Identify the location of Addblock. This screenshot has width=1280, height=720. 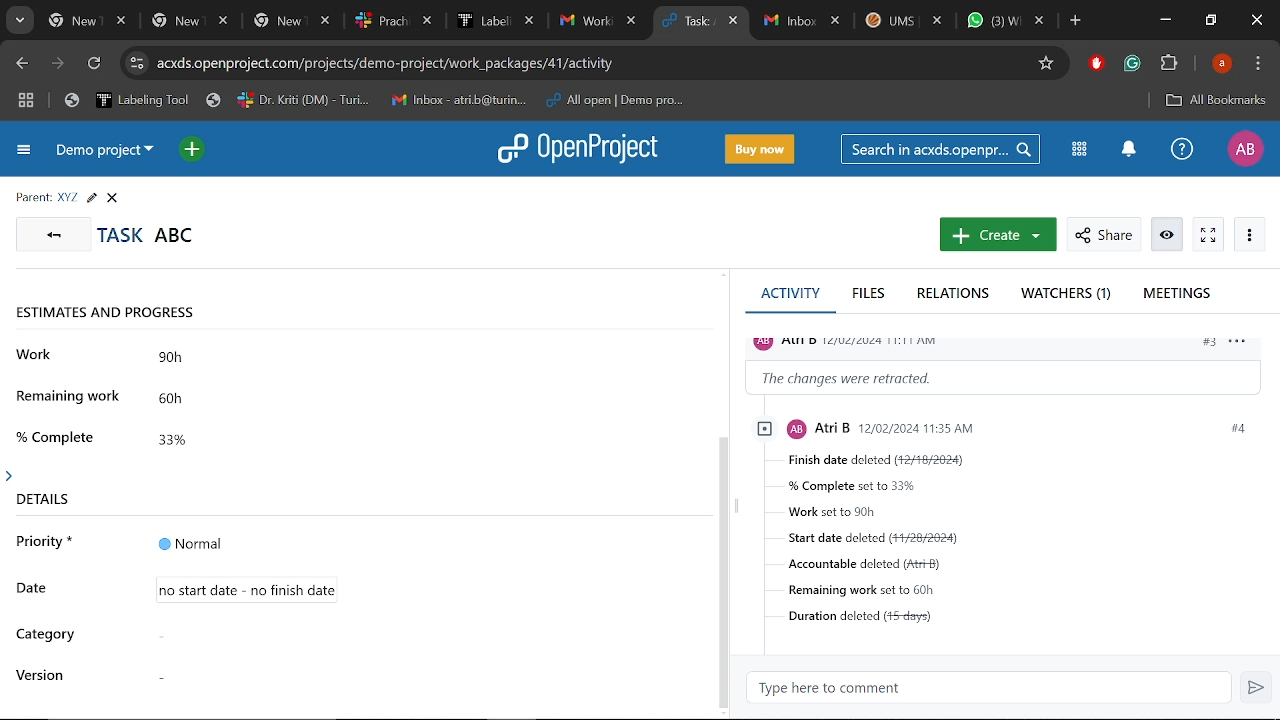
(1096, 63).